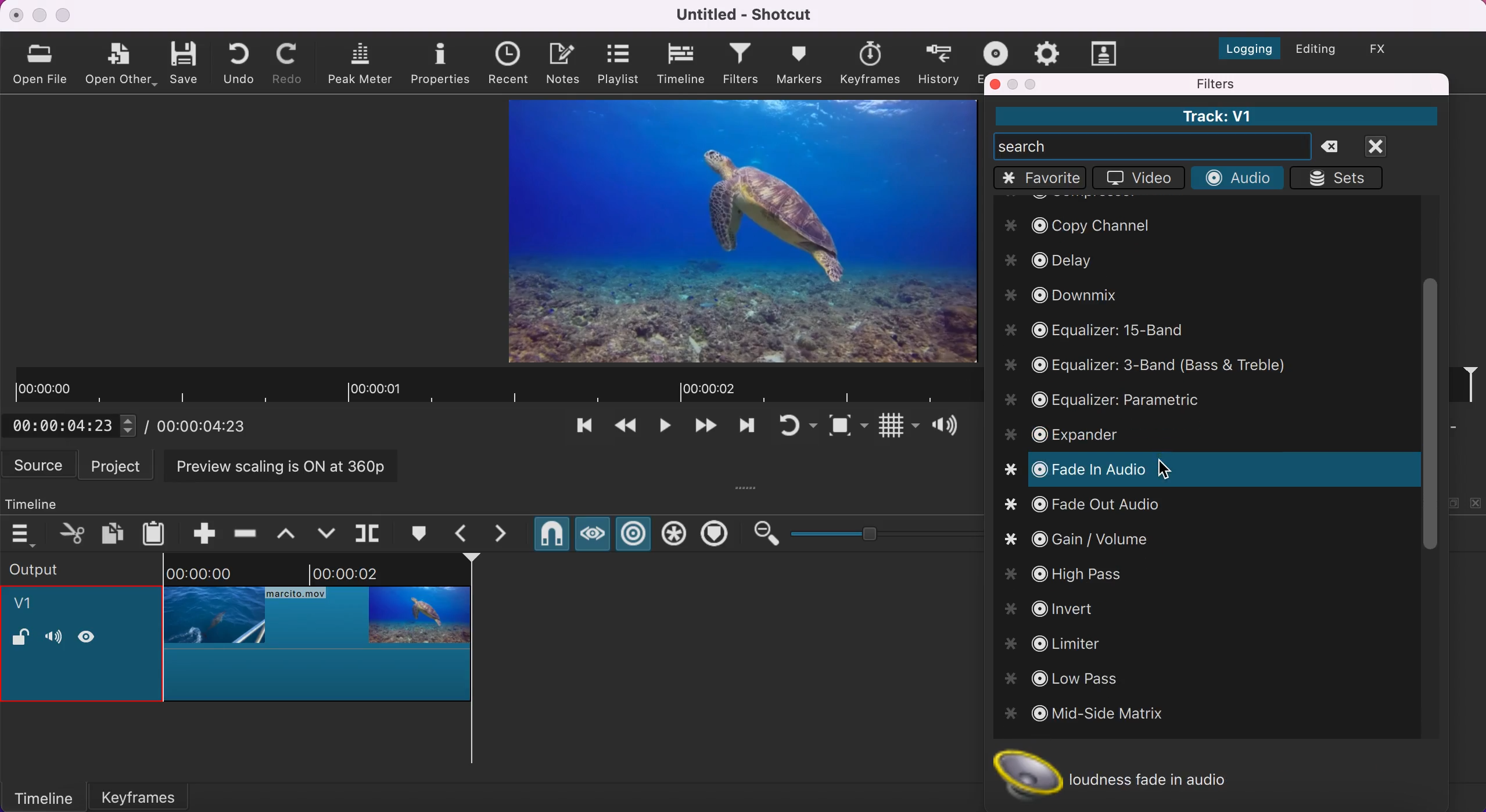 This screenshot has width=1486, height=812. I want to click on project, so click(119, 465).